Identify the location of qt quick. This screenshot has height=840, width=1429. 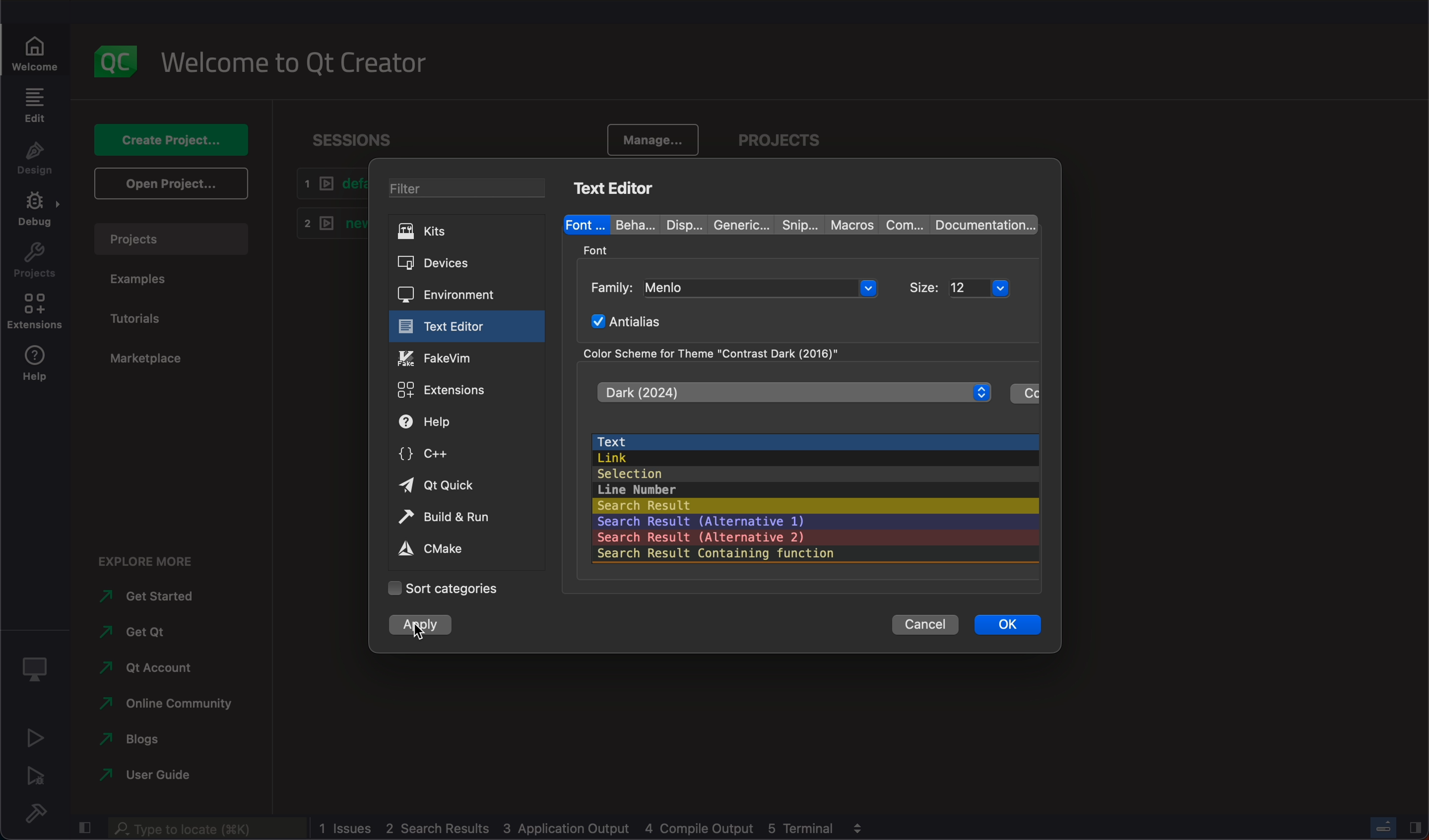
(465, 485).